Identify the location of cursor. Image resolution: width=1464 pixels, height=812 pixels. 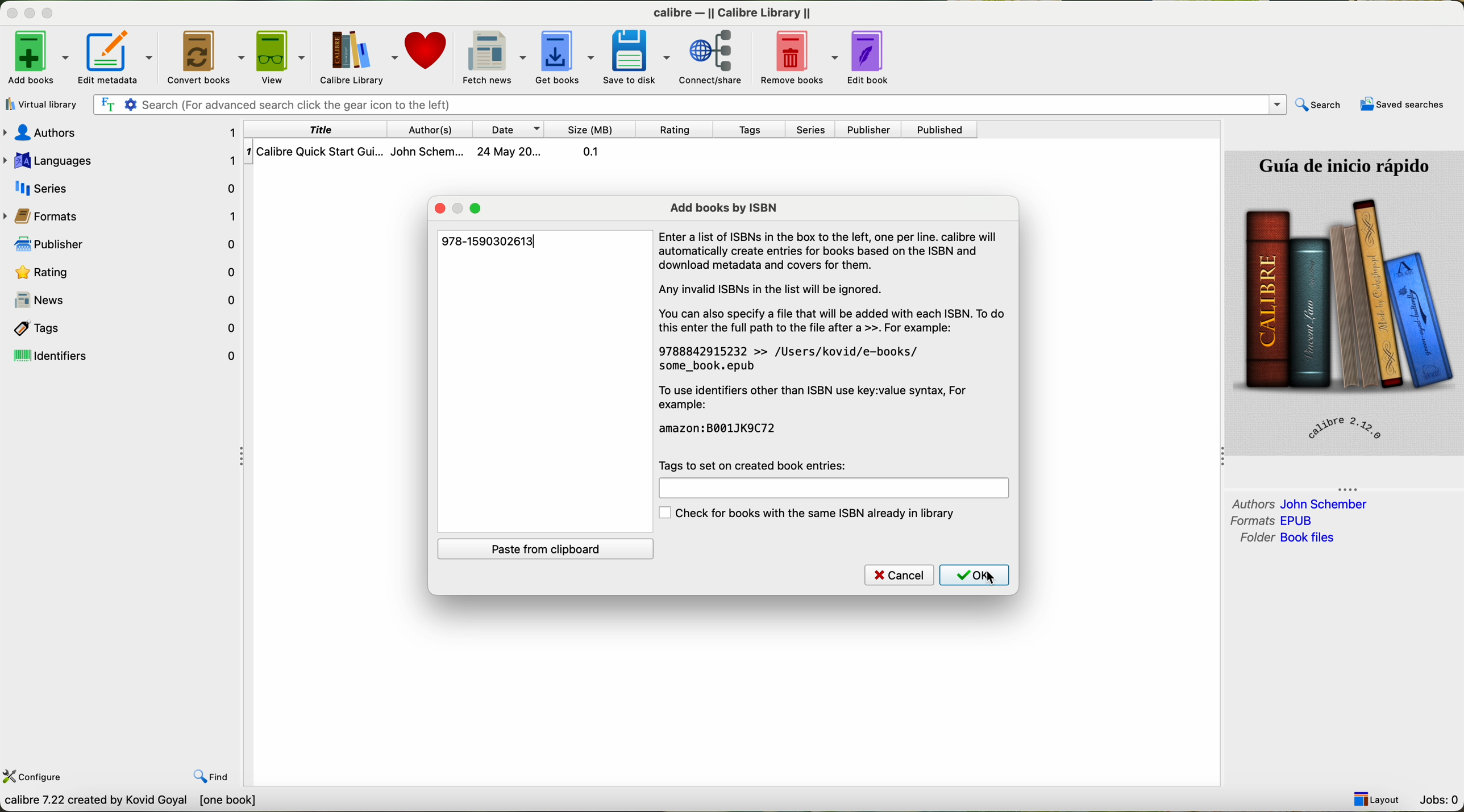
(997, 580).